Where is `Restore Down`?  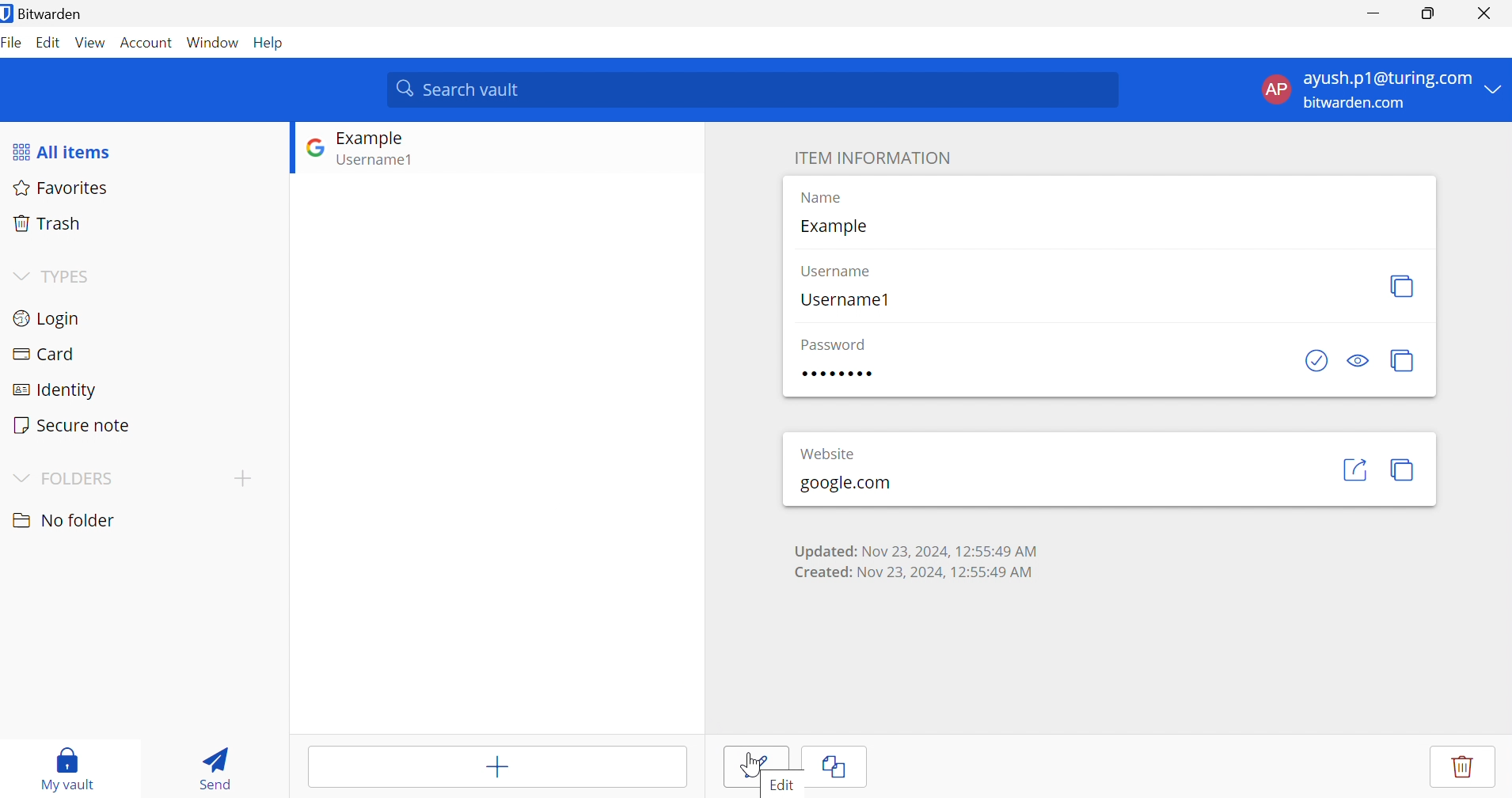 Restore Down is located at coordinates (1429, 13).